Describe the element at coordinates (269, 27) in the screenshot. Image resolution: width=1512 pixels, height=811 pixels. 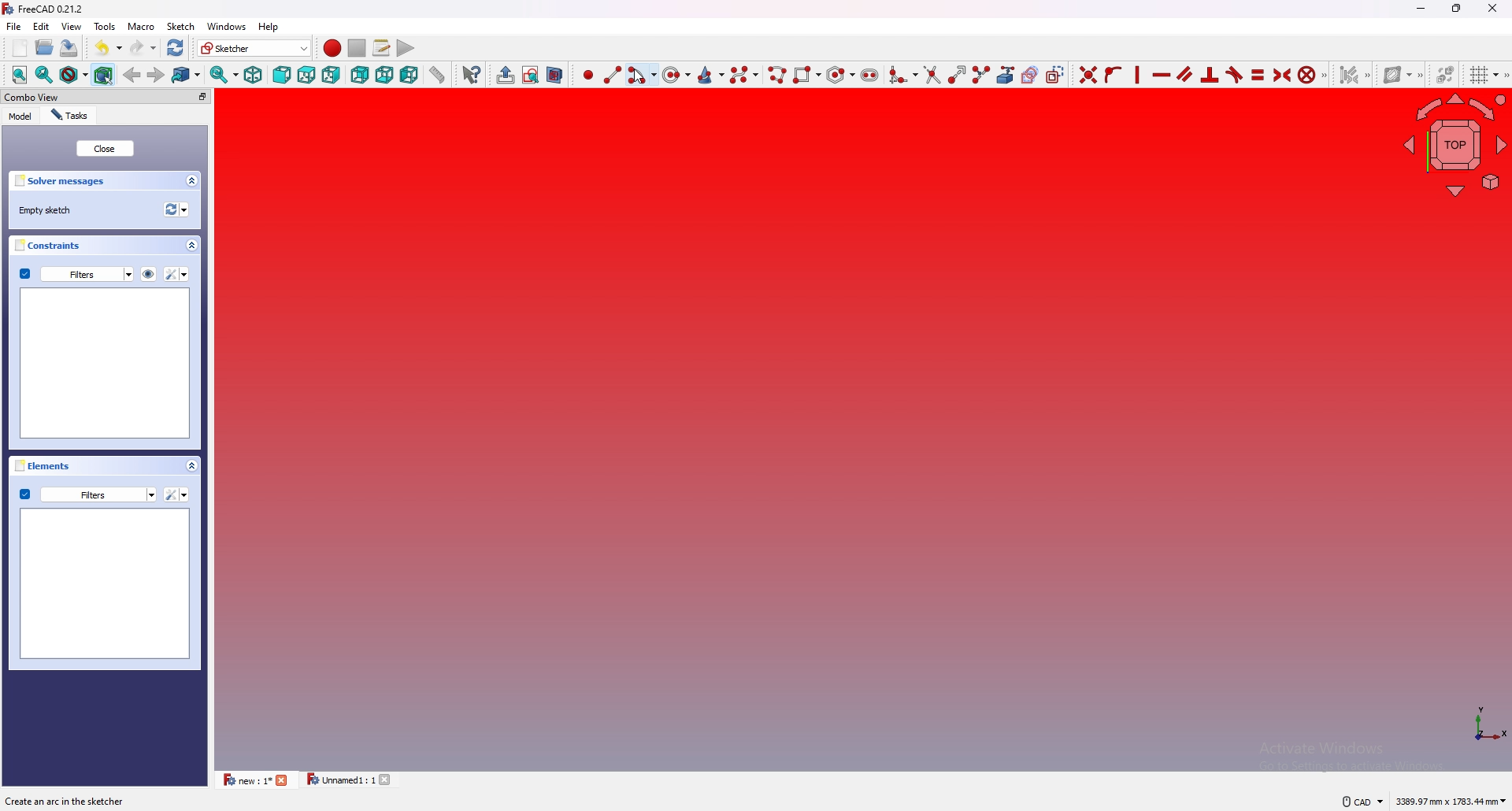
I see `help` at that location.